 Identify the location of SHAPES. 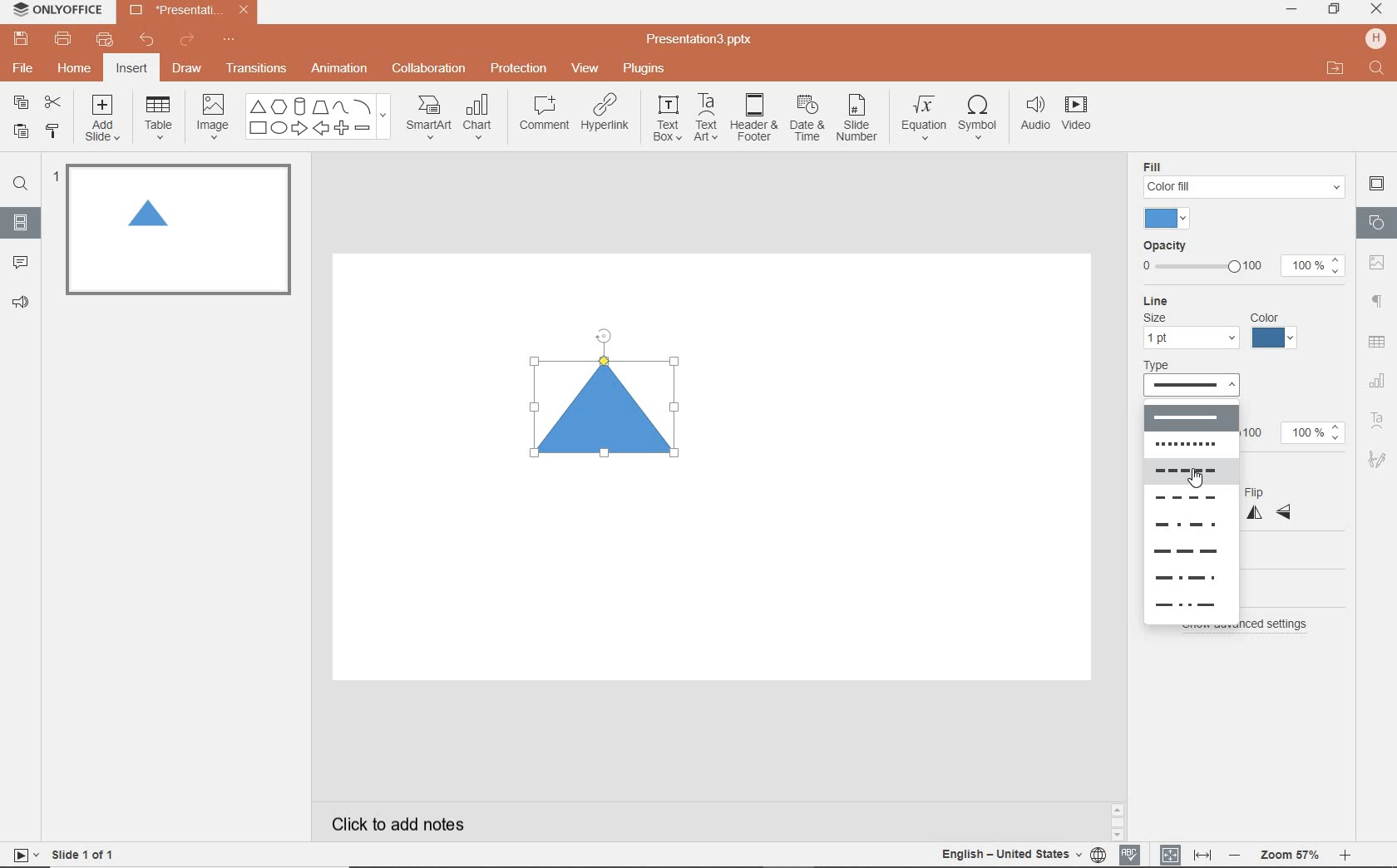
(318, 117).